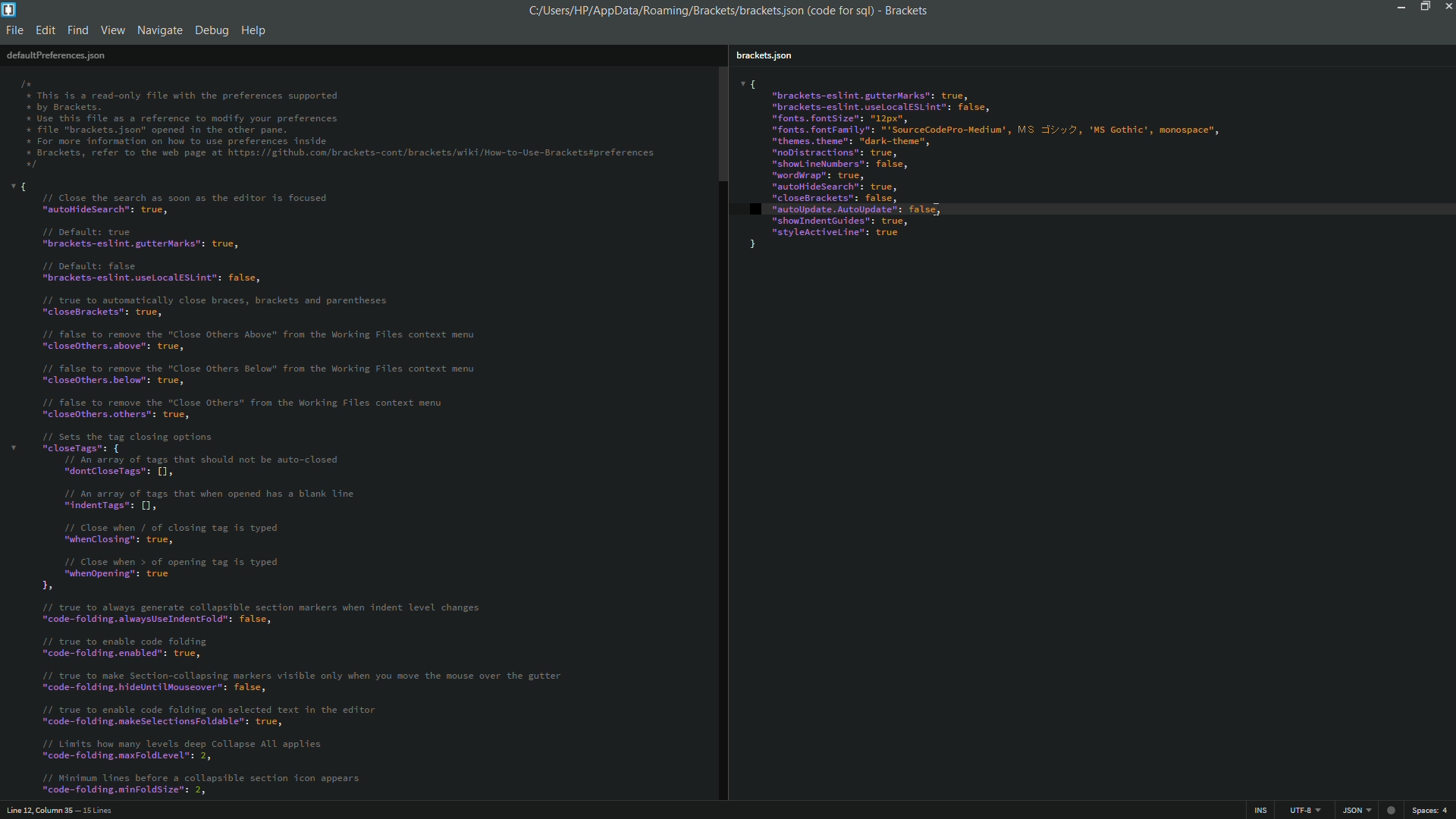 The height and width of the screenshot is (819, 1456). Describe the element at coordinates (1262, 810) in the screenshot. I see `INS` at that location.